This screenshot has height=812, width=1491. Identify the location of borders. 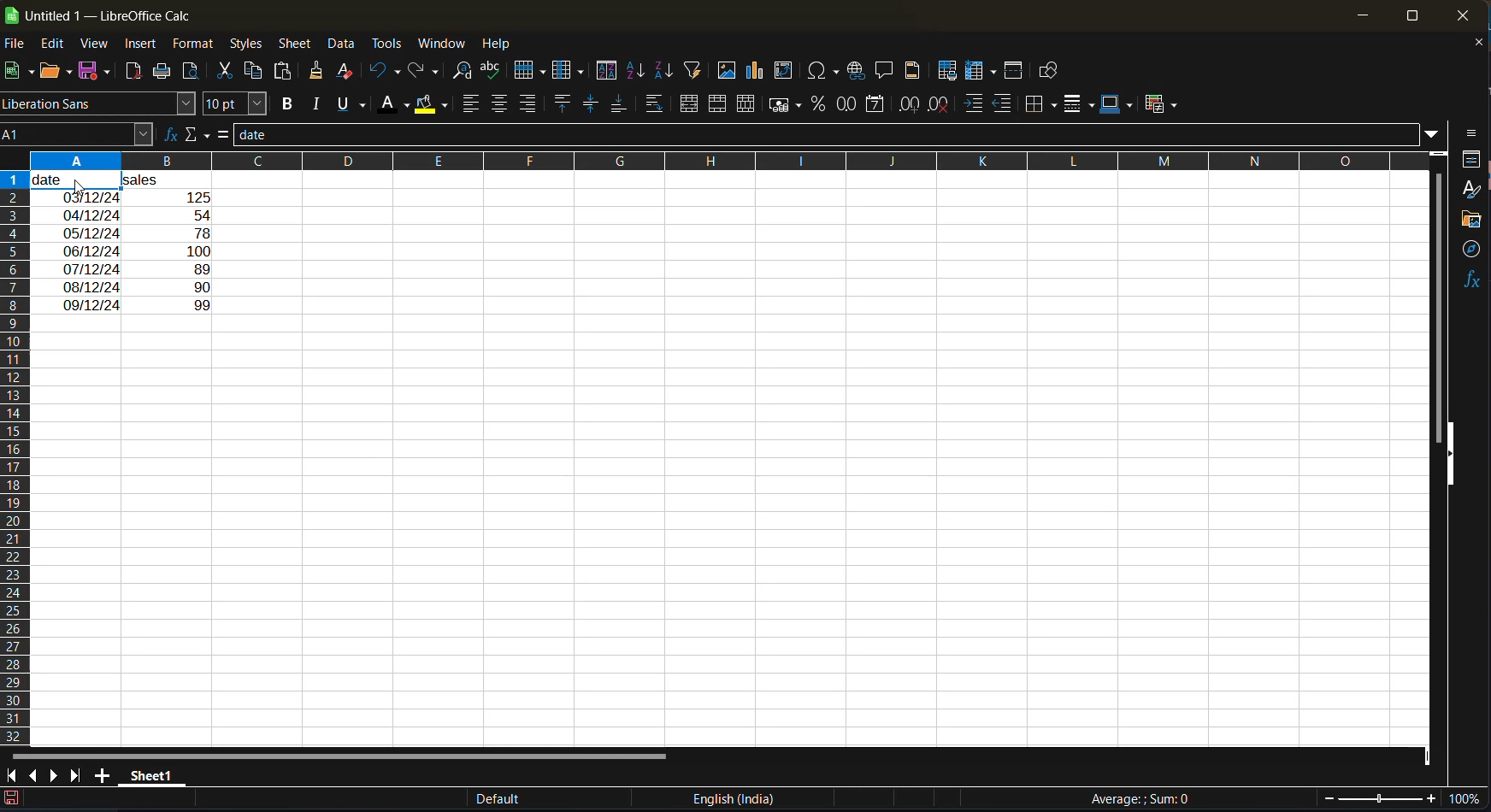
(1042, 106).